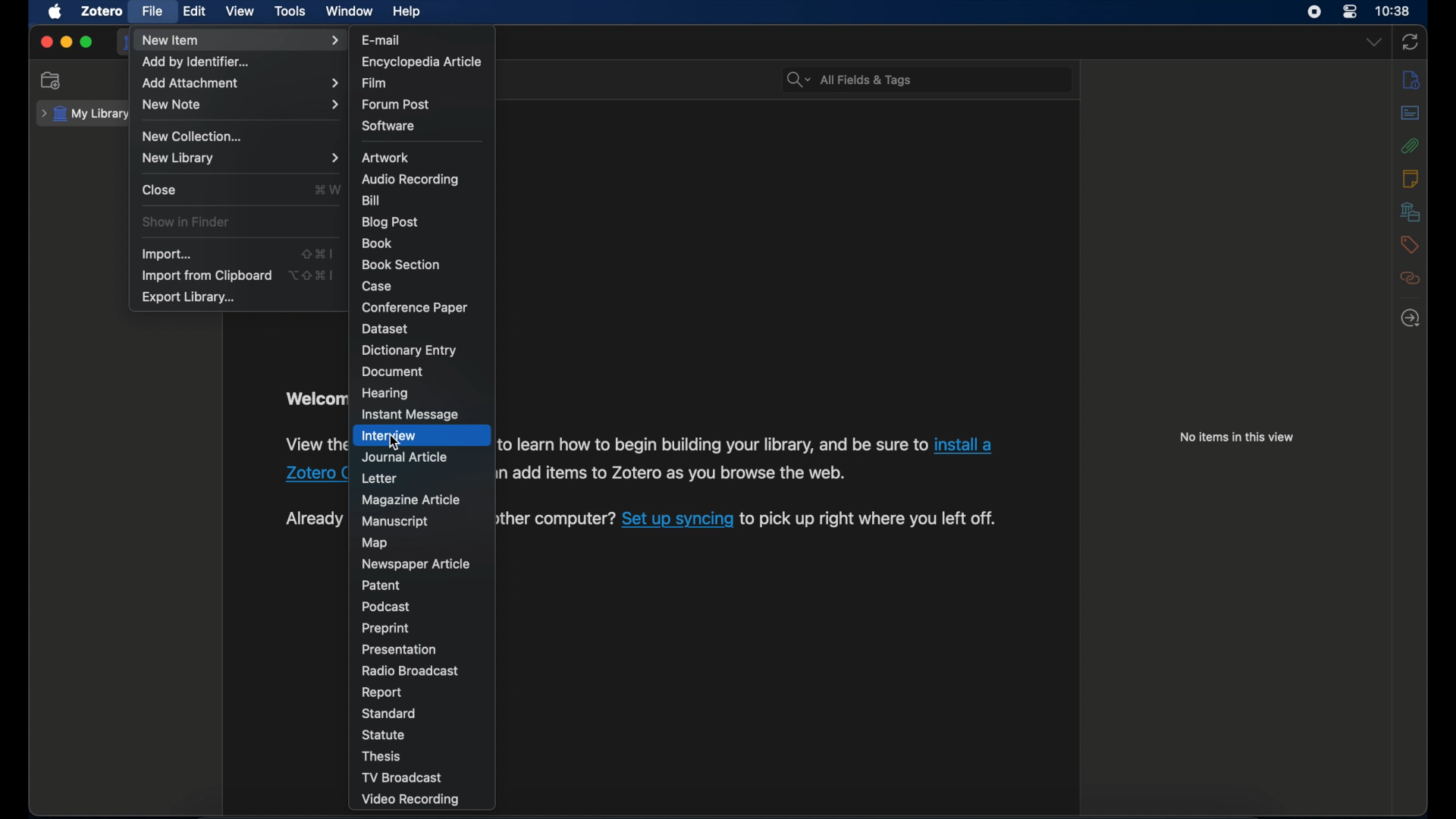 This screenshot has height=819, width=1456. What do you see at coordinates (1410, 179) in the screenshot?
I see `notes` at bounding box center [1410, 179].